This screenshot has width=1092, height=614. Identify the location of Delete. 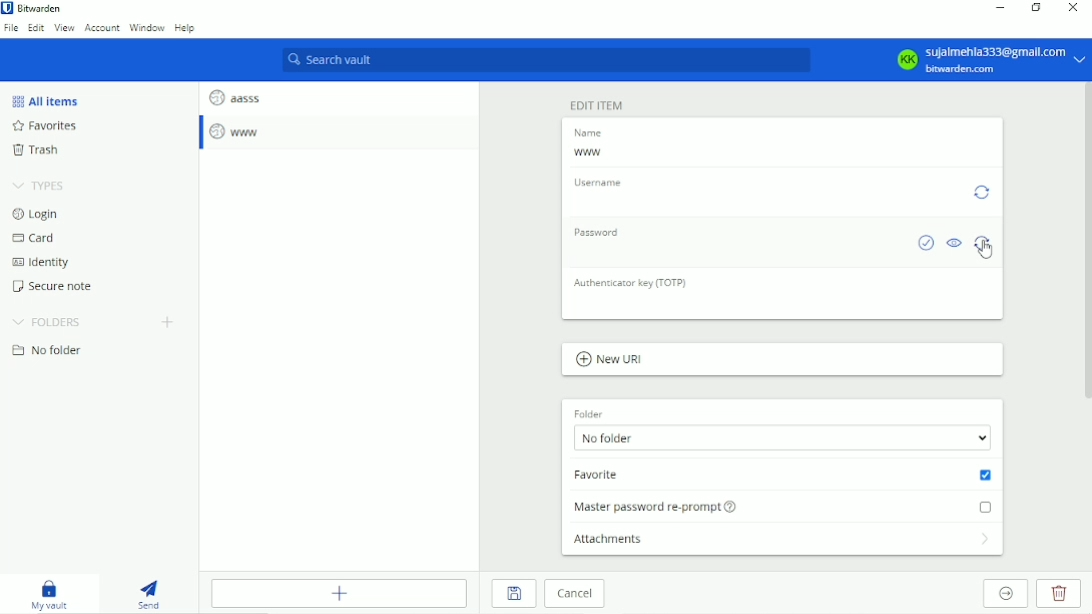
(1061, 594).